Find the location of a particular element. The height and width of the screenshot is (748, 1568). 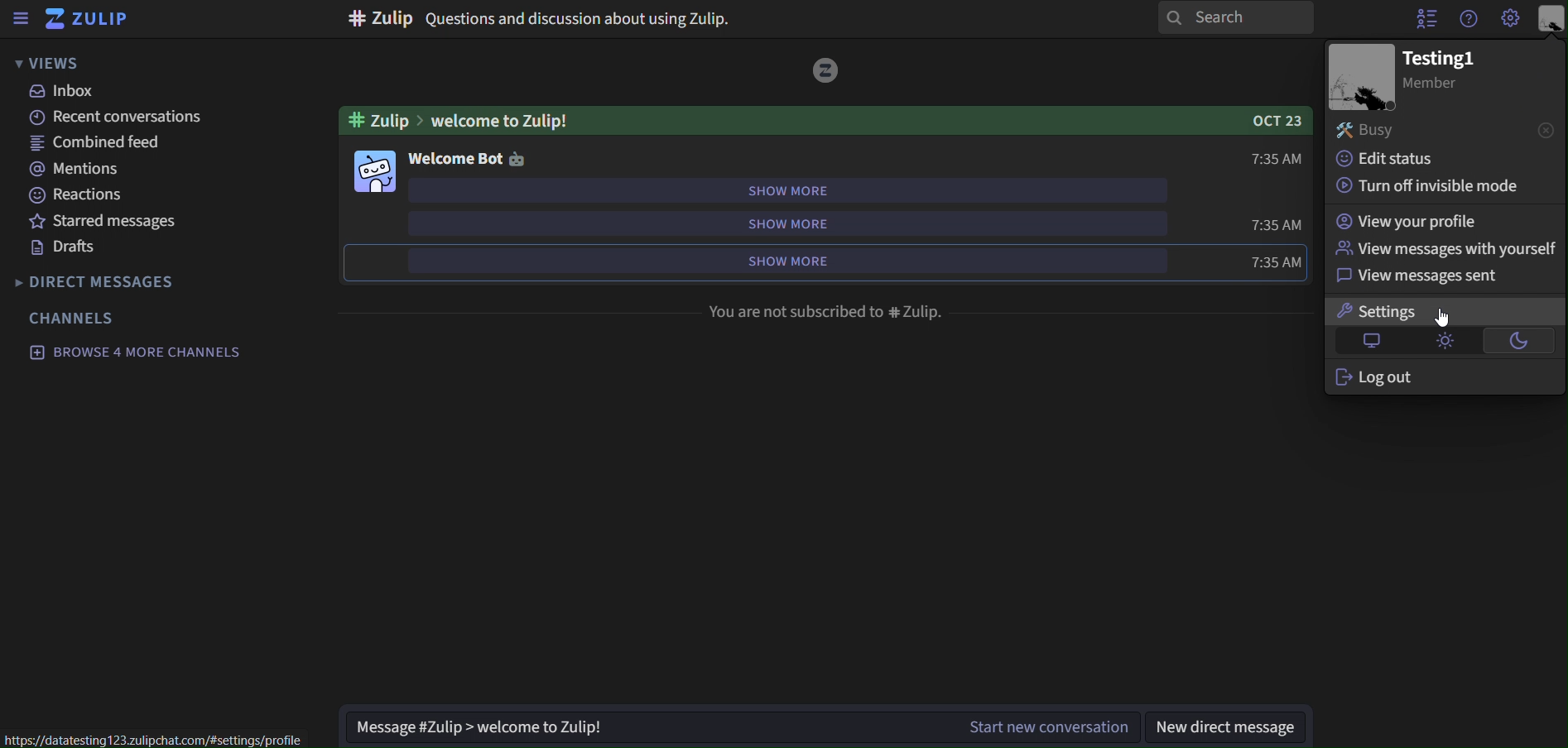

Message #Zulip>welcome to Zulip is located at coordinates (613, 723).